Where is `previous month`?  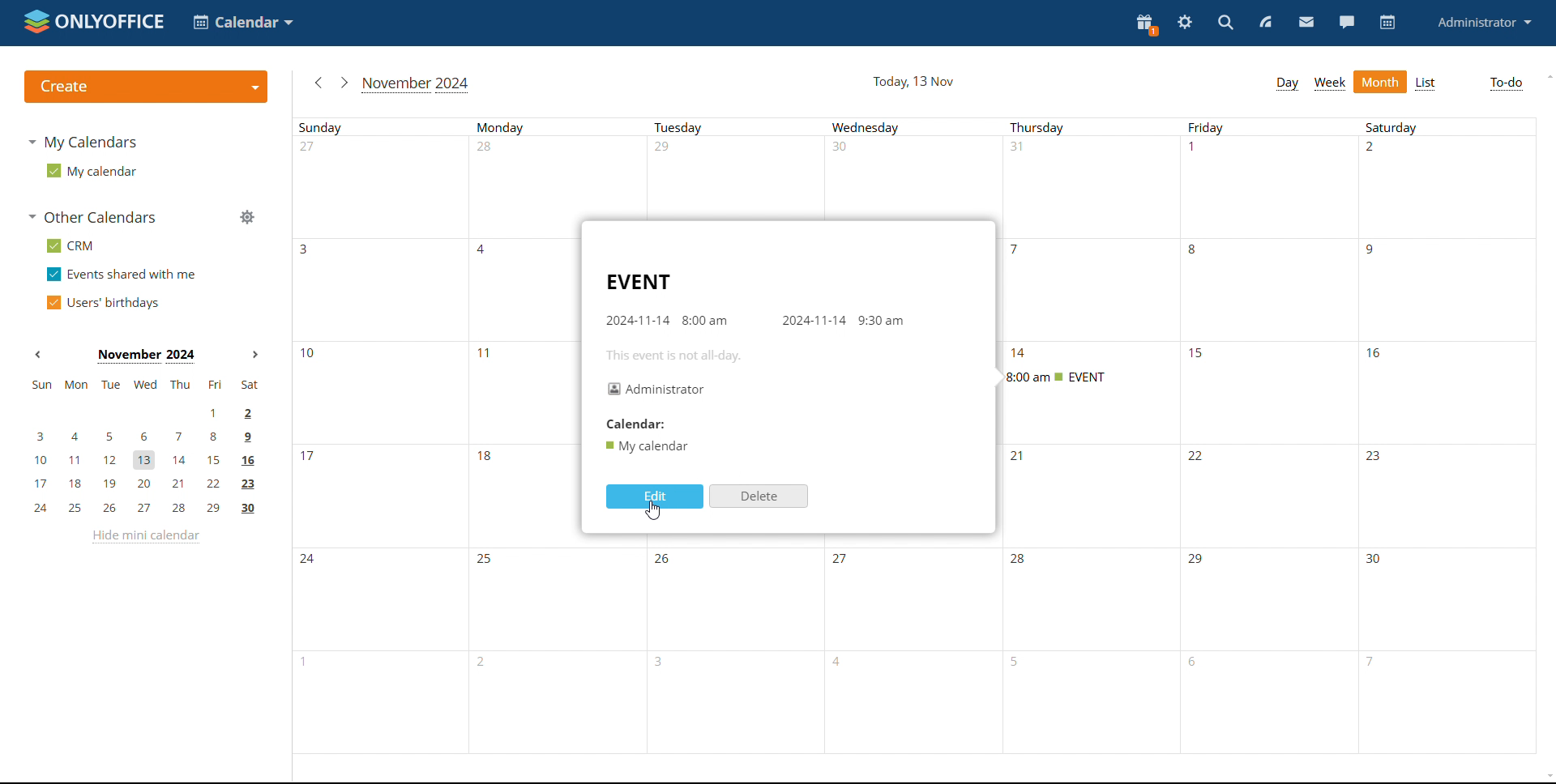 previous month is located at coordinates (41, 355).